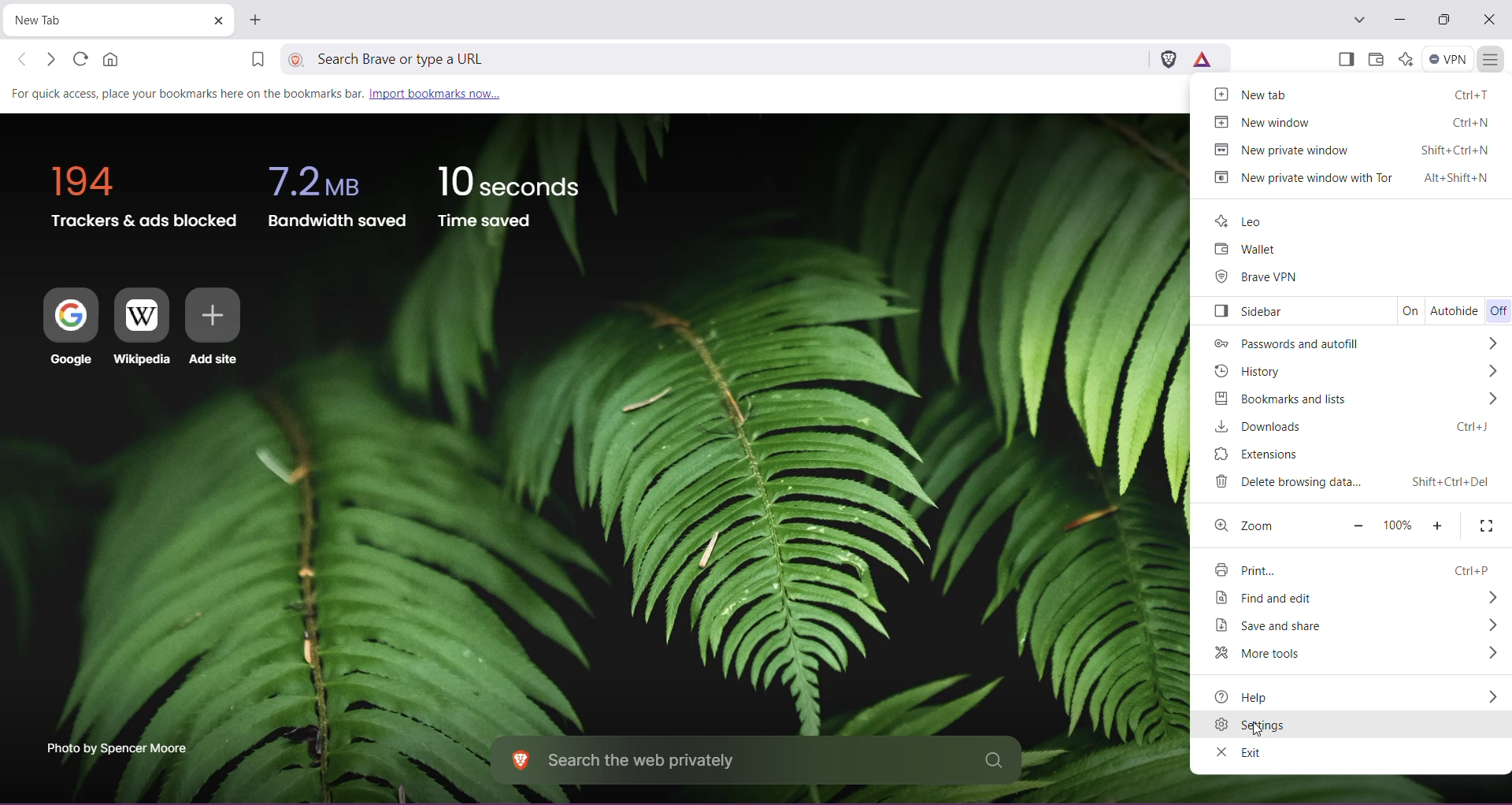 This screenshot has height=805, width=1512. What do you see at coordinates (1447, 57) in the screenshot?
I see `Brave Firewall + VPN` at bounding box center [1447, 57].